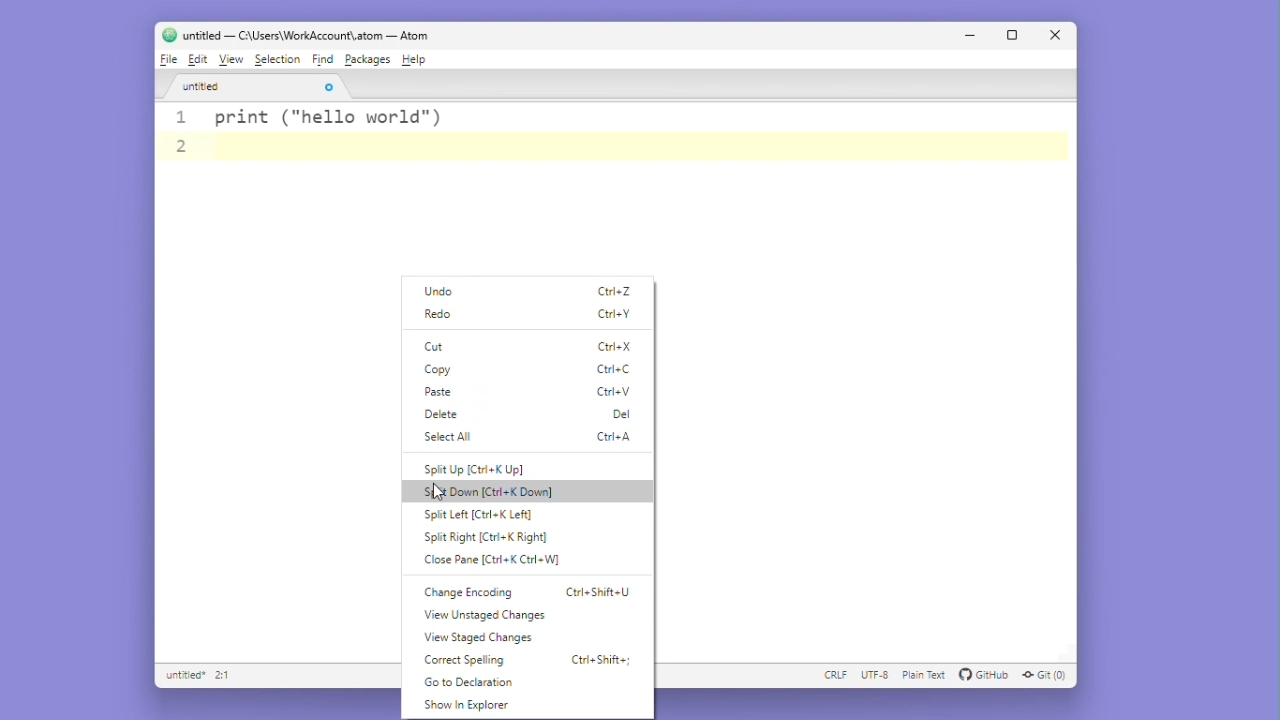 The width and height of the screenshot is (1280, 720). What do you see at coordinates (447, 315) in the screenshot?
I see `redo` at bounding box center [447, 315].